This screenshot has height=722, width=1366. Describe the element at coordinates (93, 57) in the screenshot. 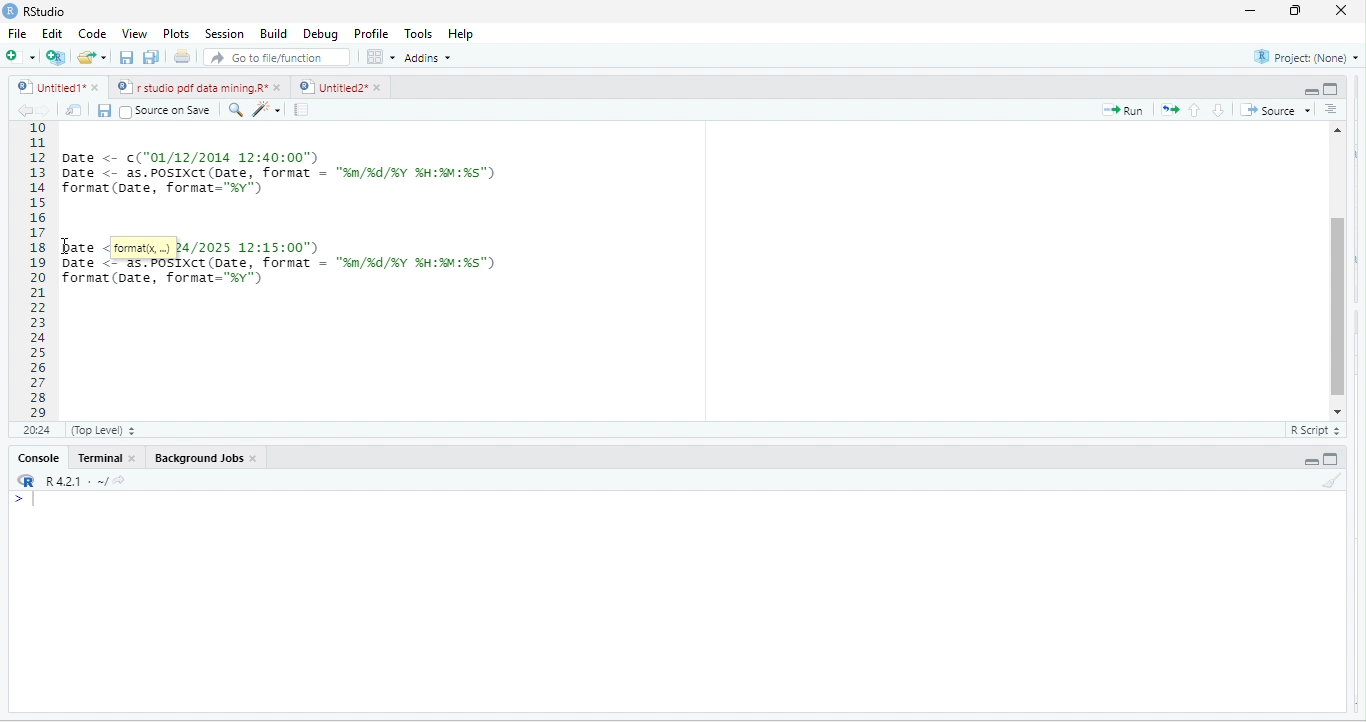

I see `open an existing file` at that location.